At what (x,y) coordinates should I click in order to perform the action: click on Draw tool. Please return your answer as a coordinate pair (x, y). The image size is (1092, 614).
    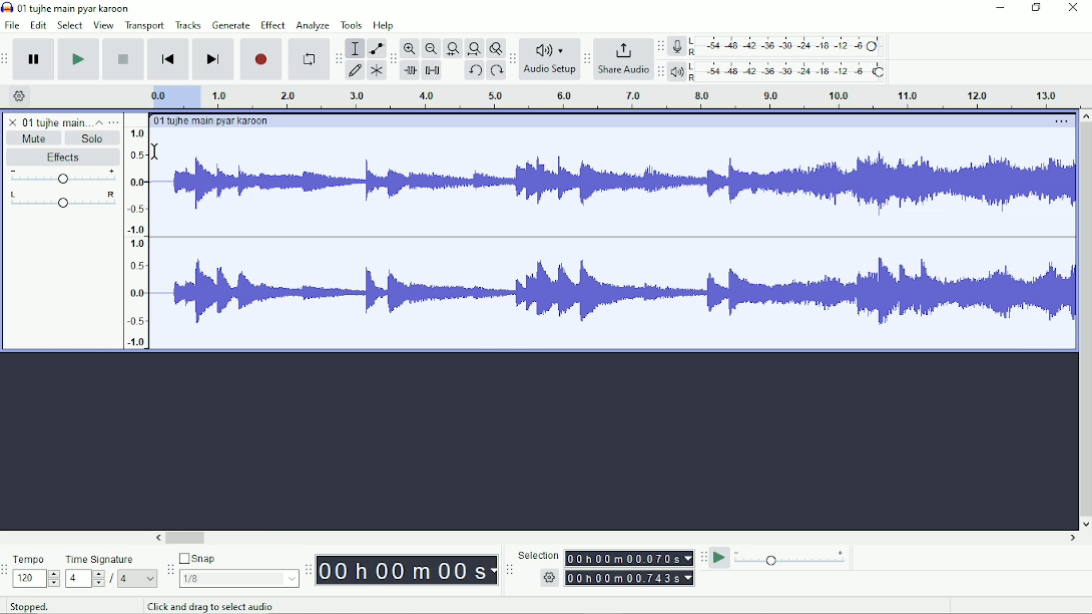
    Looking at the image, I should click on (356, 71).